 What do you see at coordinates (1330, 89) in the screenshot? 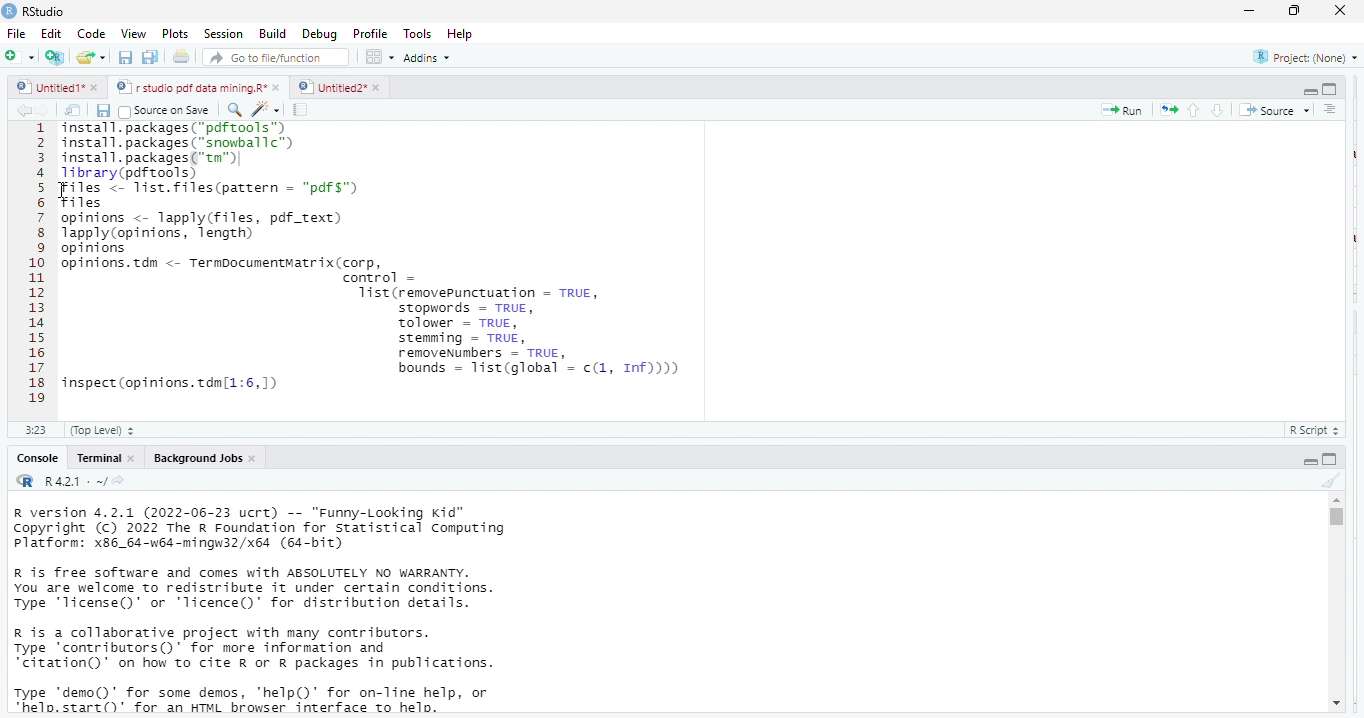
I see `hide console` at bounding box center [1330, 89].